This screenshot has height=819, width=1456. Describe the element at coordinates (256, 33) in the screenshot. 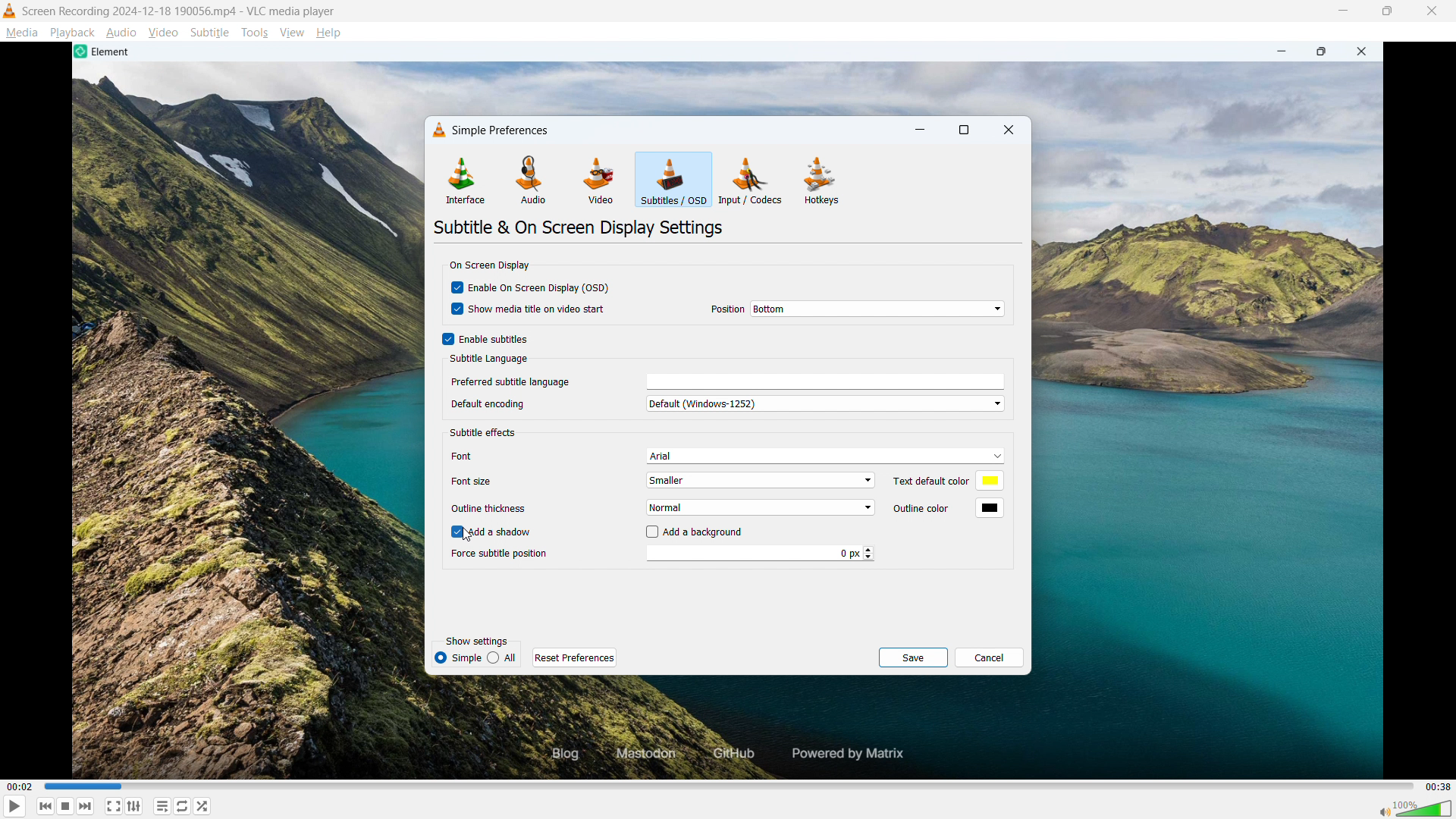

I see `Tools ` at that location.